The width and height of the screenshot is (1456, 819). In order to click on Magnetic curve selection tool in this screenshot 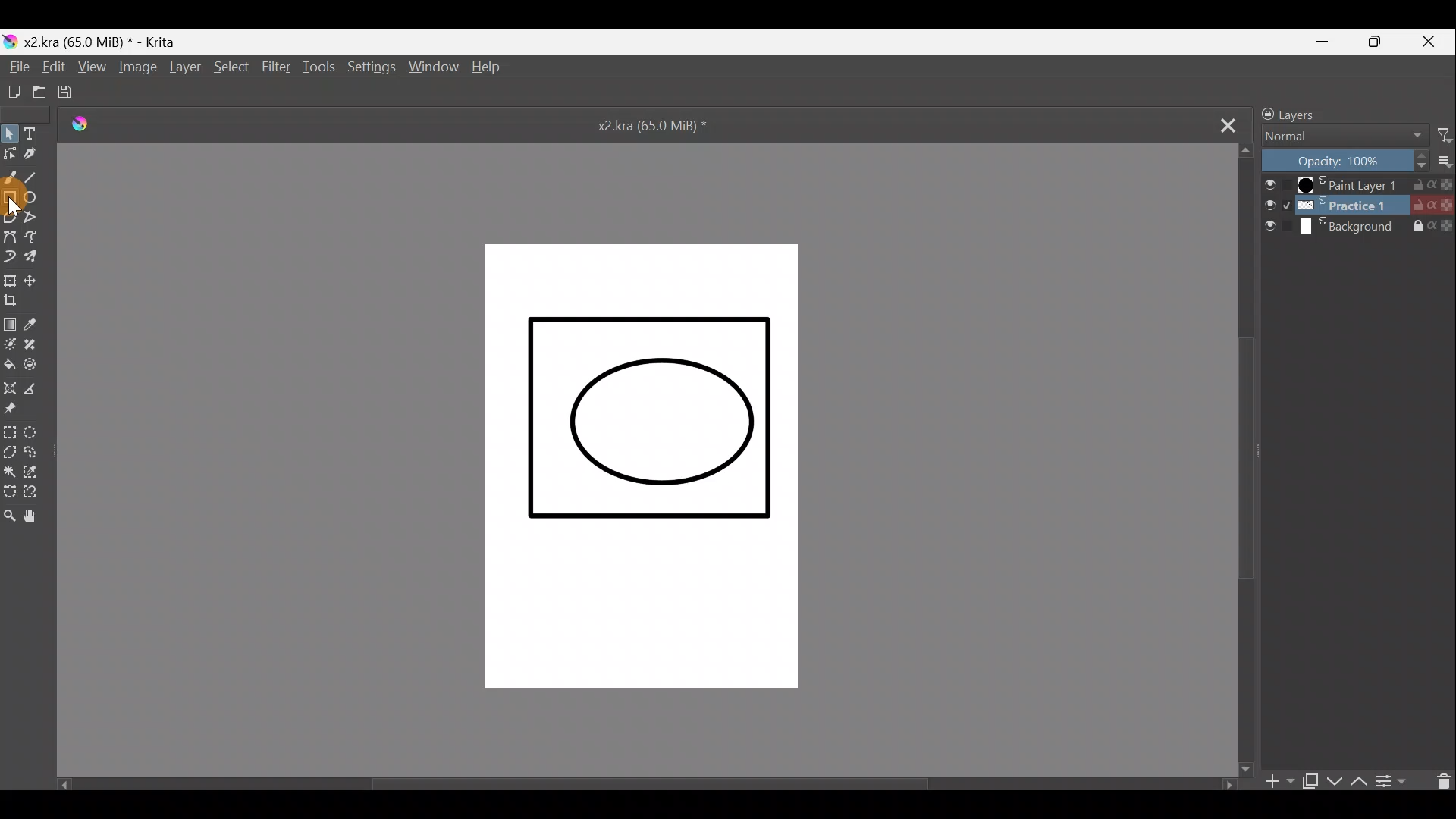, I will do `click(36, 494)`.